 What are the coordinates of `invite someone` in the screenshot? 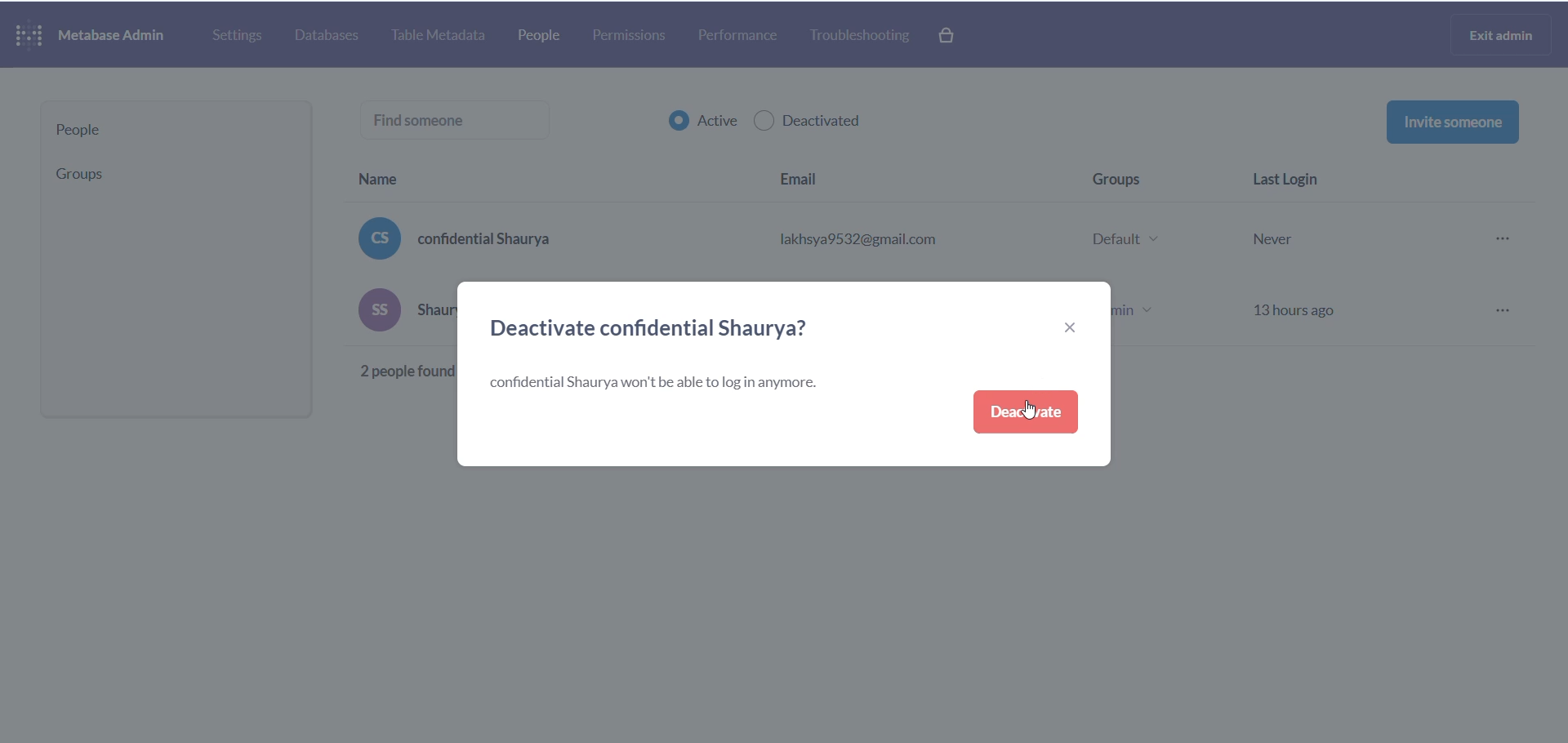 It's located at (1457, 123).